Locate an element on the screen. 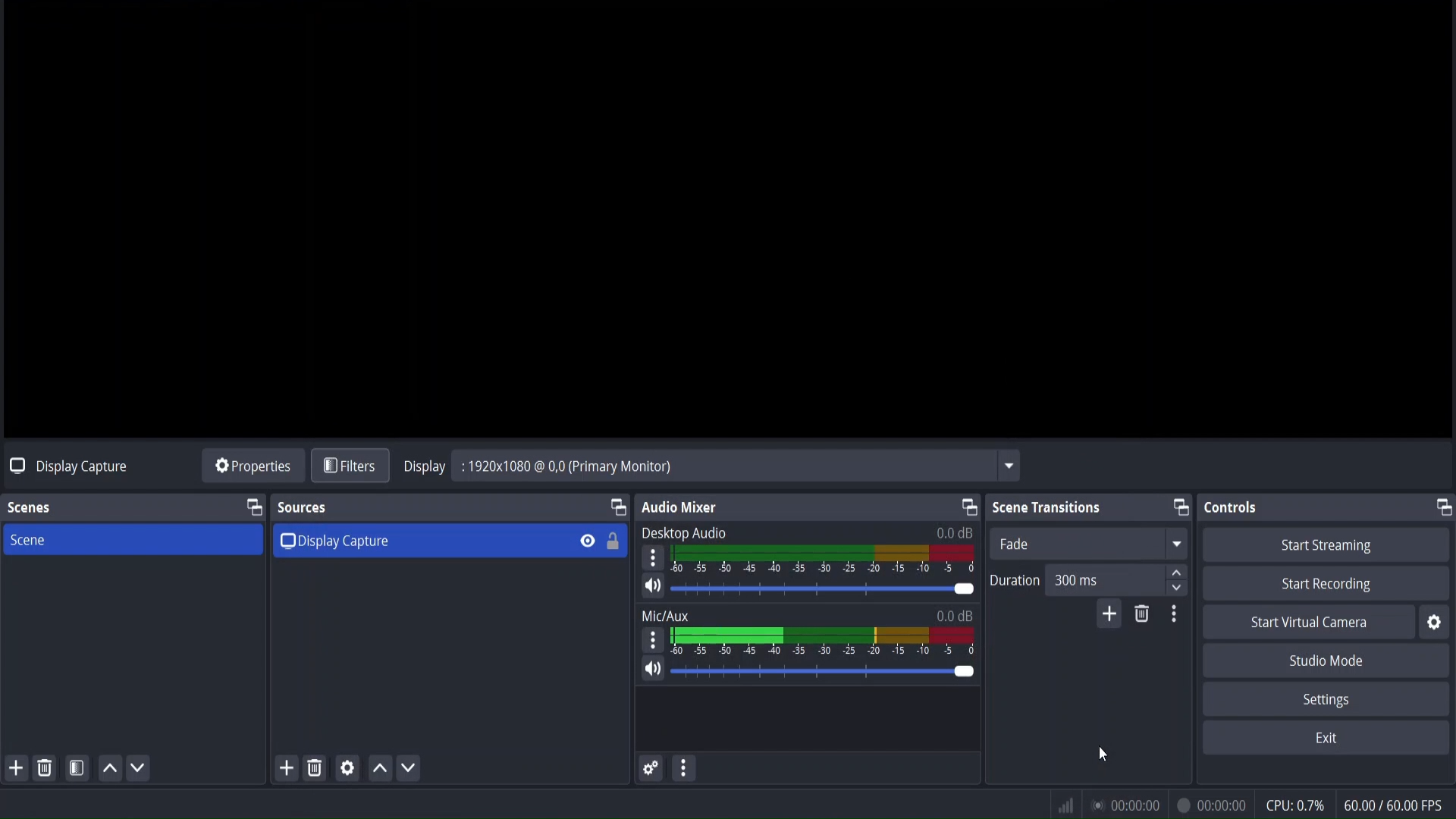 The width and height of the screenshot is (1456, 819). move source up is located at coordinates (378, 769).